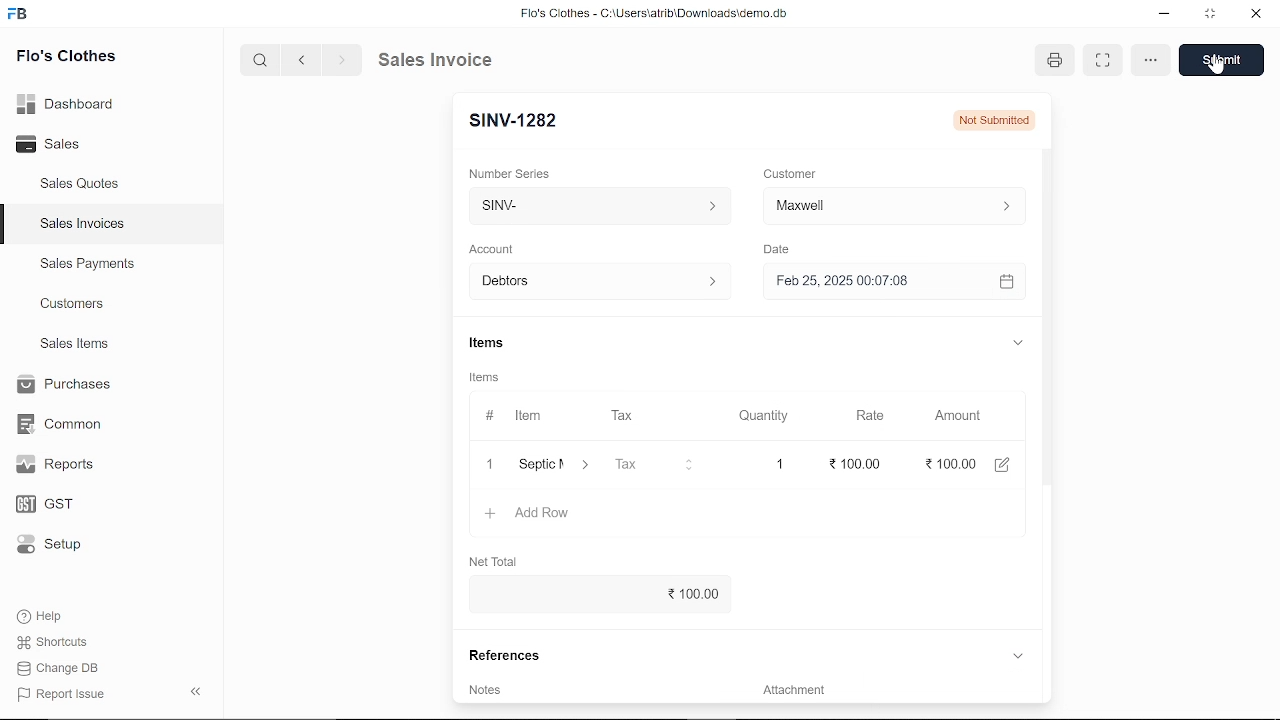  Describe the element at coordinates (854, 463) in the screenshot. I see `100.00` at that location.